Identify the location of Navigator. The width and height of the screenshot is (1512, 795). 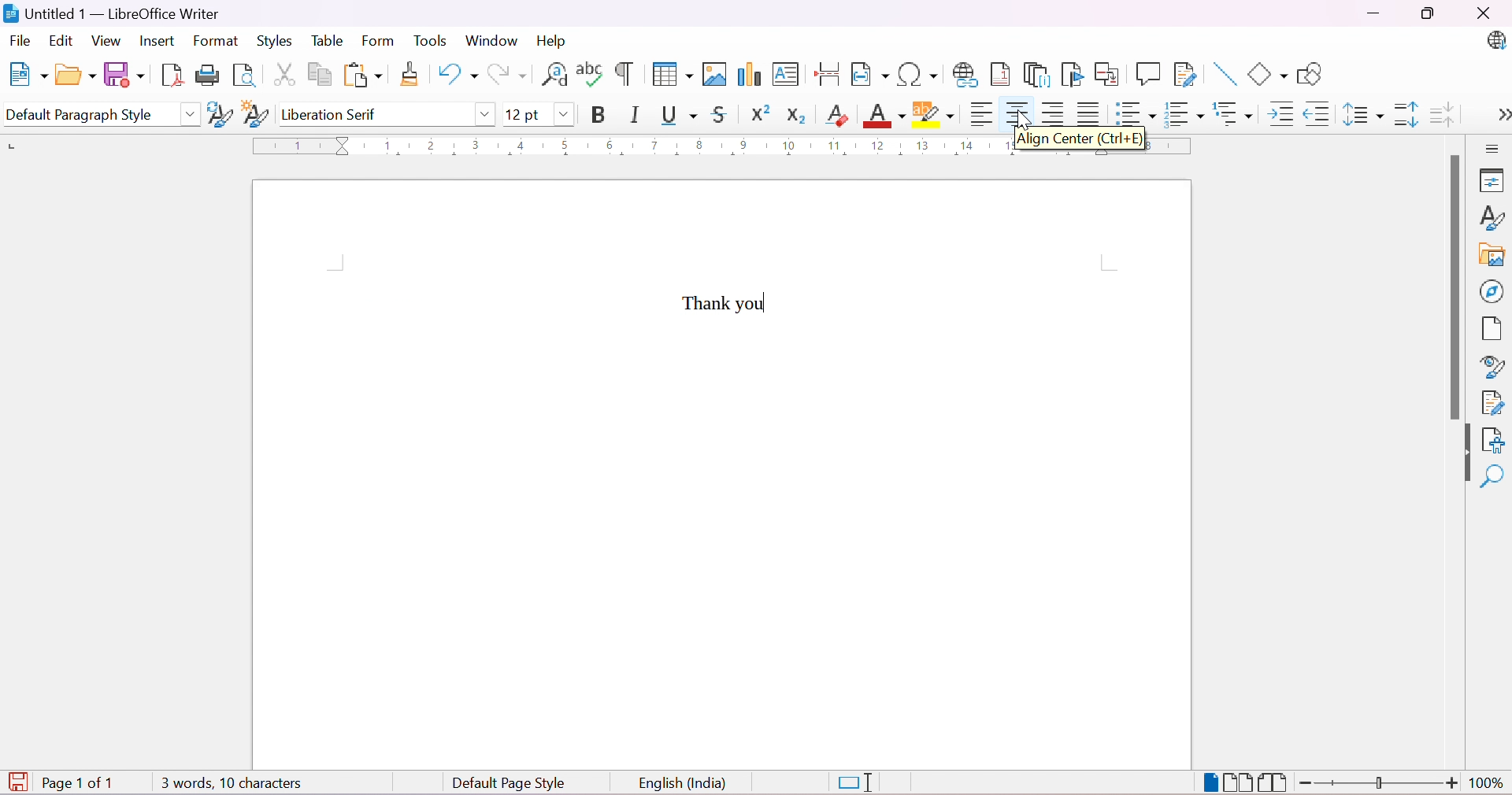
(1492, 292).